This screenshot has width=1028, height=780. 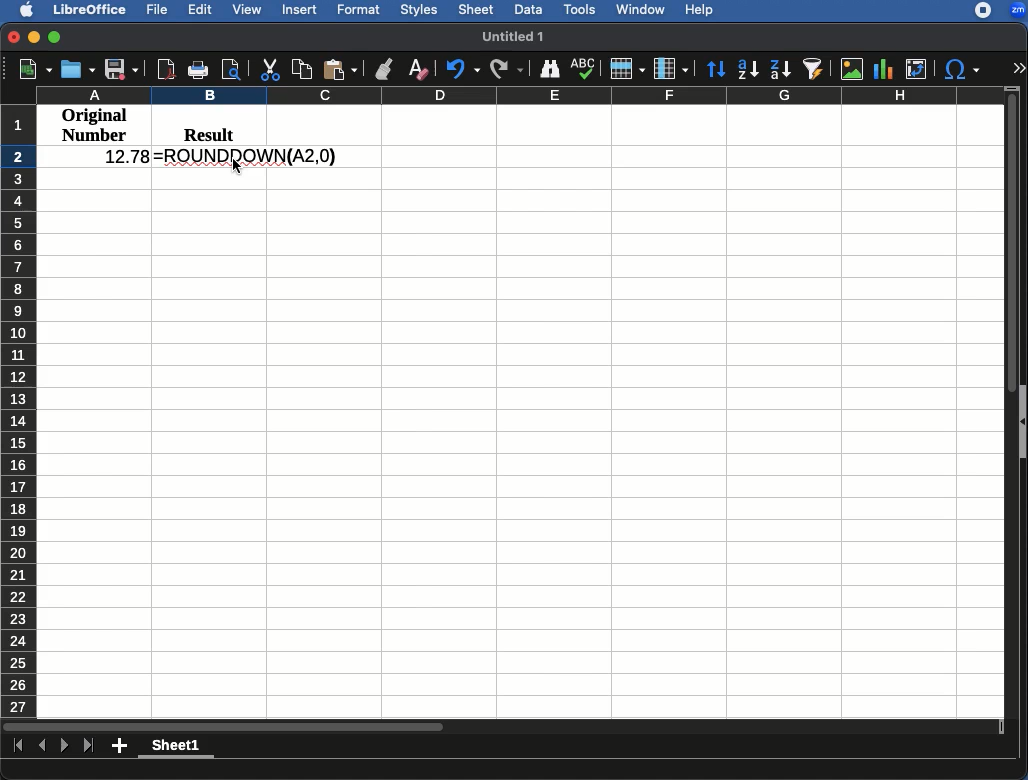 I want to click on Expand, so click(x=1019, y=69).